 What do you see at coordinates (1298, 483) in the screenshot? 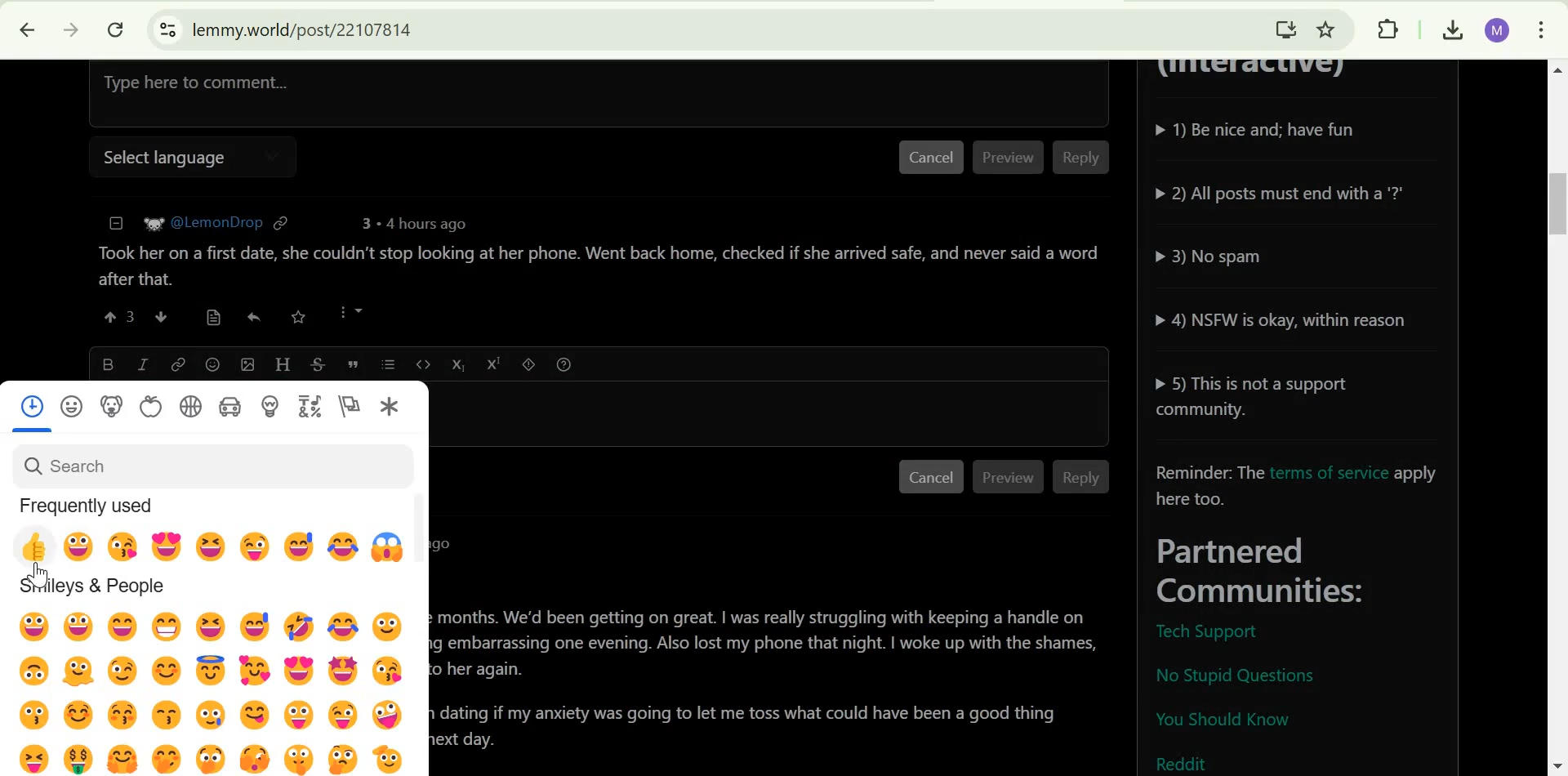
I see `Reminder: The terms of service apply here too.` at bounding box center [1298, 483].